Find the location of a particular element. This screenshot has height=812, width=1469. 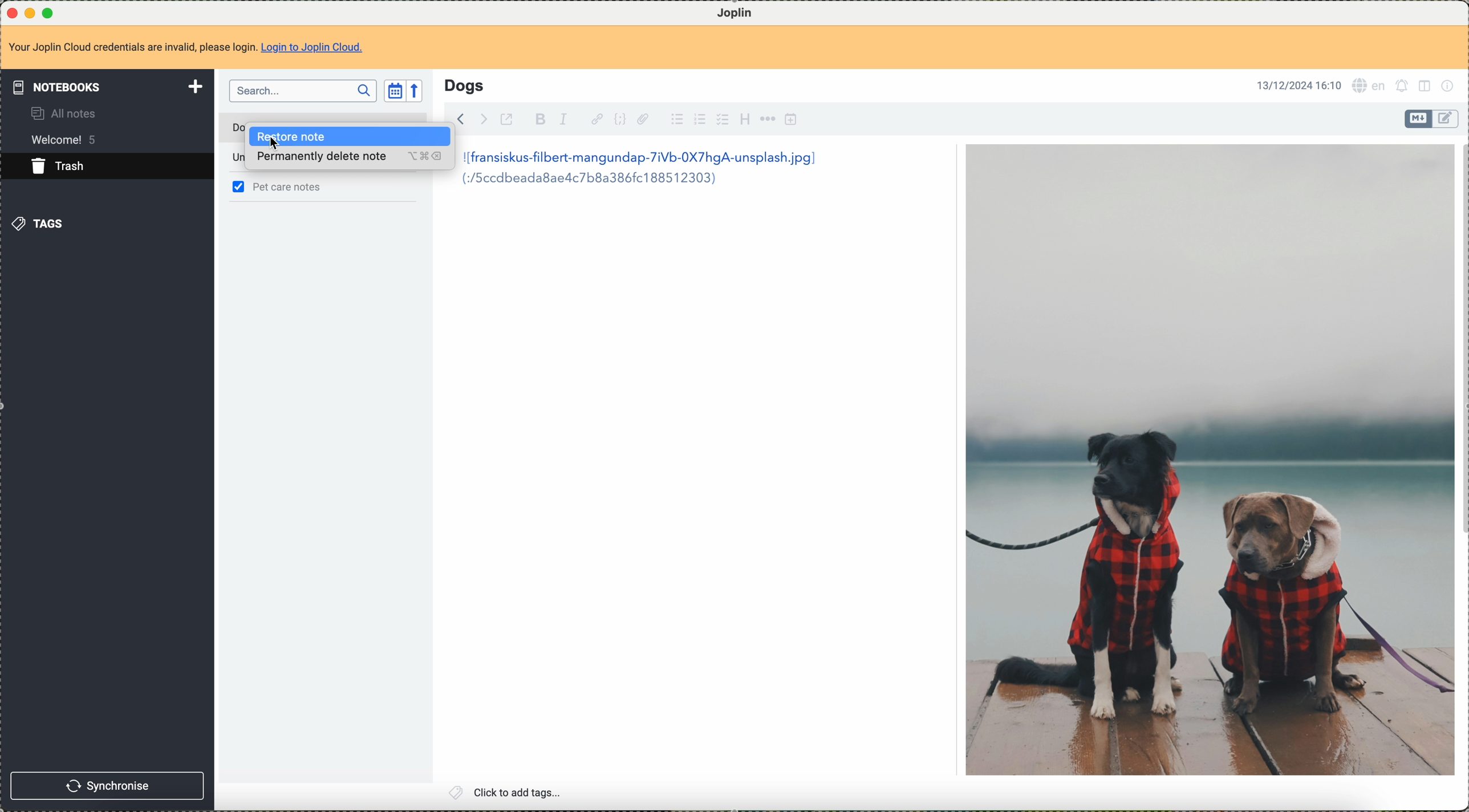

hyperlink is located at coordinates (594, 119).